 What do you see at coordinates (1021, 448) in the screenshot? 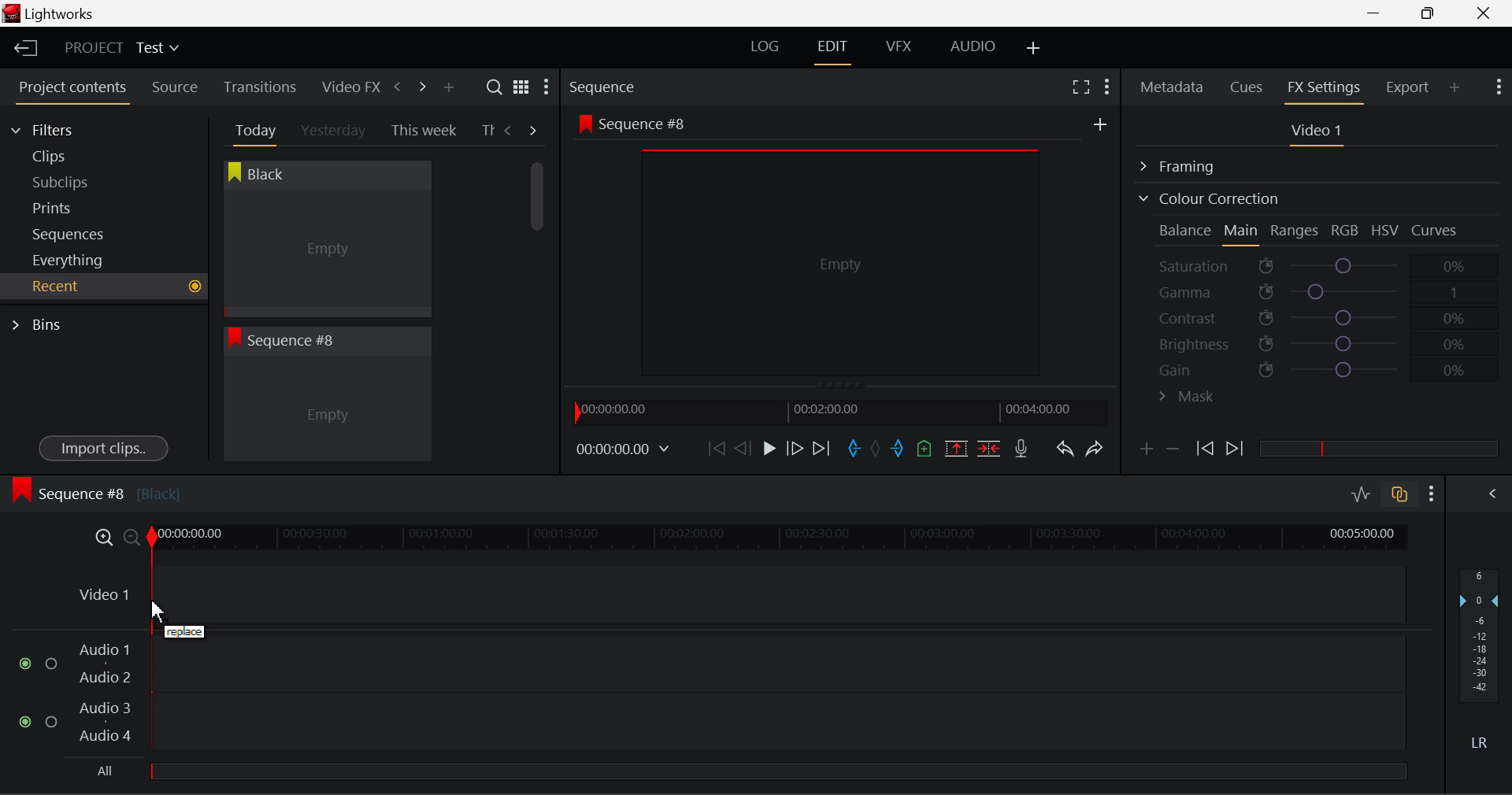
I see `Recrod Voiceover` at bounding box center [1021, 448].